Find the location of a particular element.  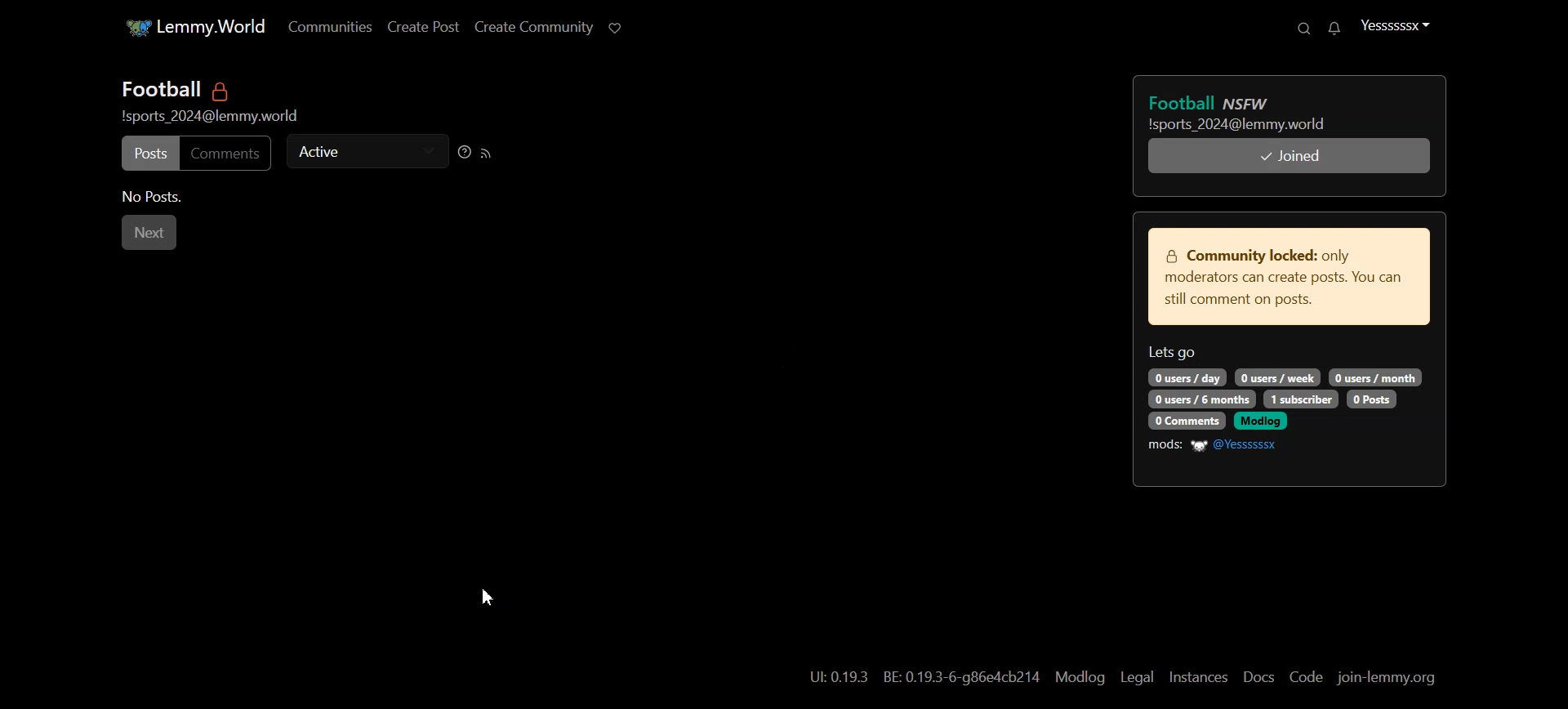

Search is located at coordinates (1298, 28).